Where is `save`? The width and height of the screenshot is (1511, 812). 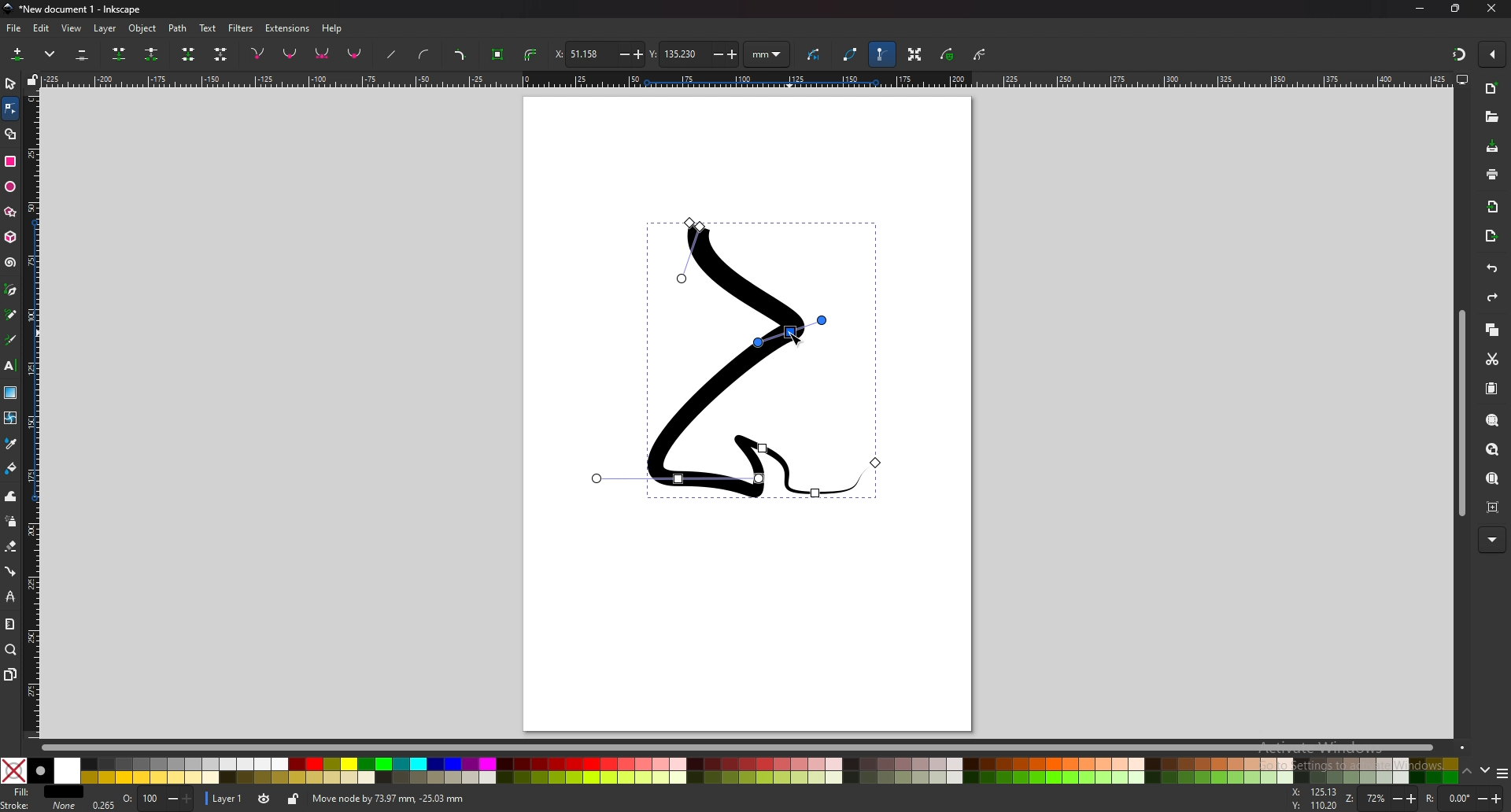
save is located at coordinates (1491, 147).